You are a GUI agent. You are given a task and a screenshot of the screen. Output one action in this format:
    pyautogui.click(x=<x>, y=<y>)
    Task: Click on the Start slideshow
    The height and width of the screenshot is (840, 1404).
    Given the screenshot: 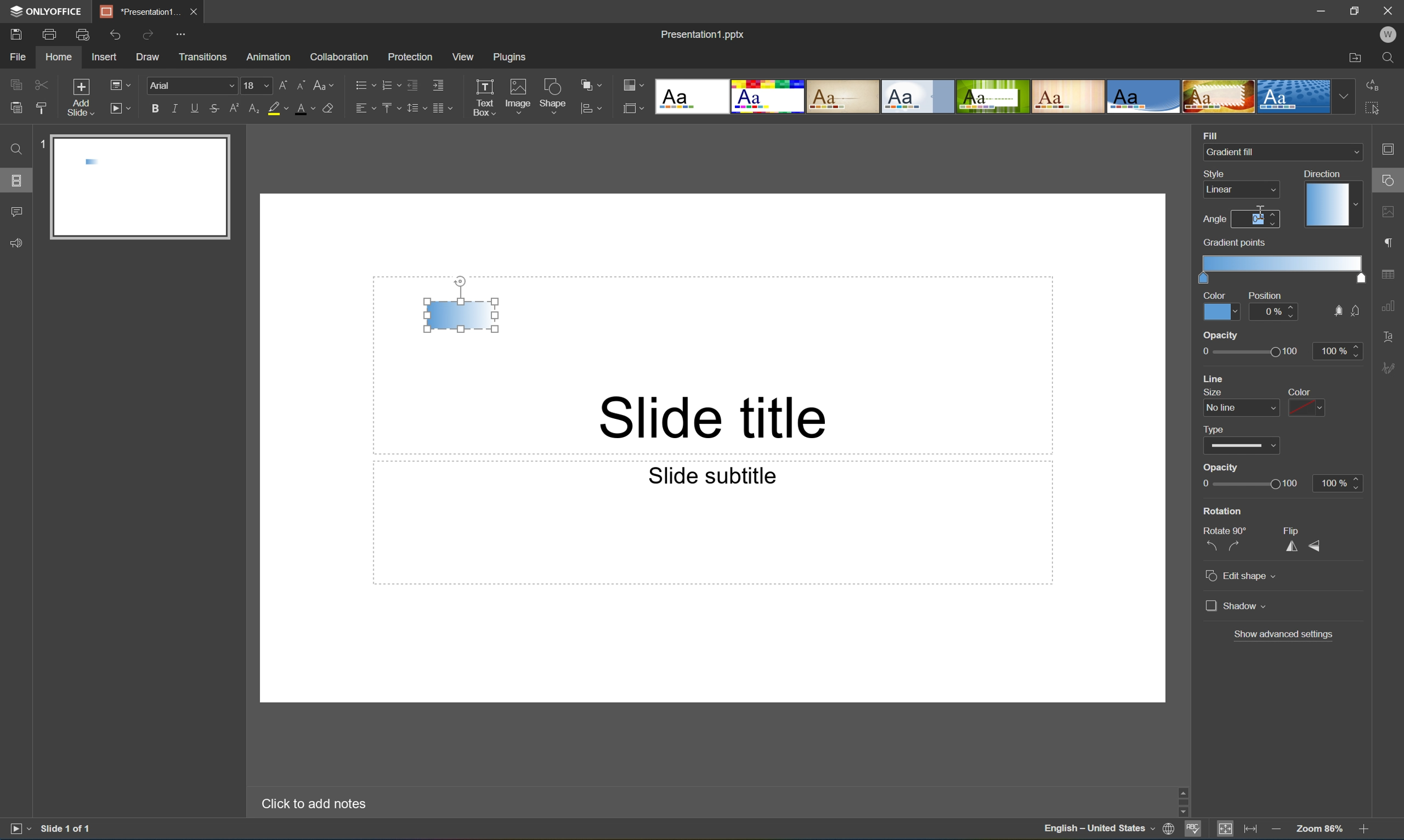 What is the action you would take?
    pyautogui.click(x=19, y=828)
    